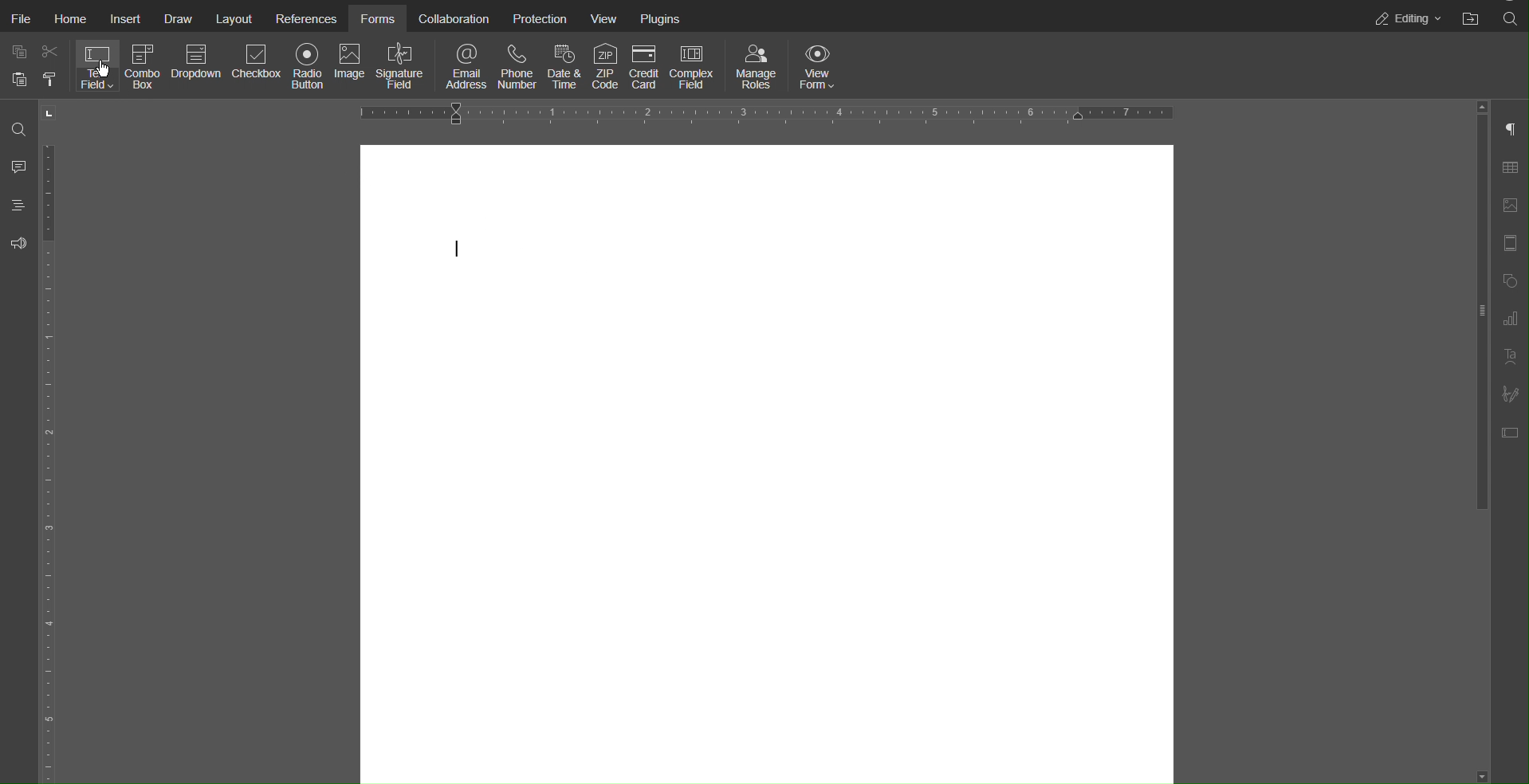 This screenshot has width=1529, height=784. I want to click on Signature, so click(1508, 394).